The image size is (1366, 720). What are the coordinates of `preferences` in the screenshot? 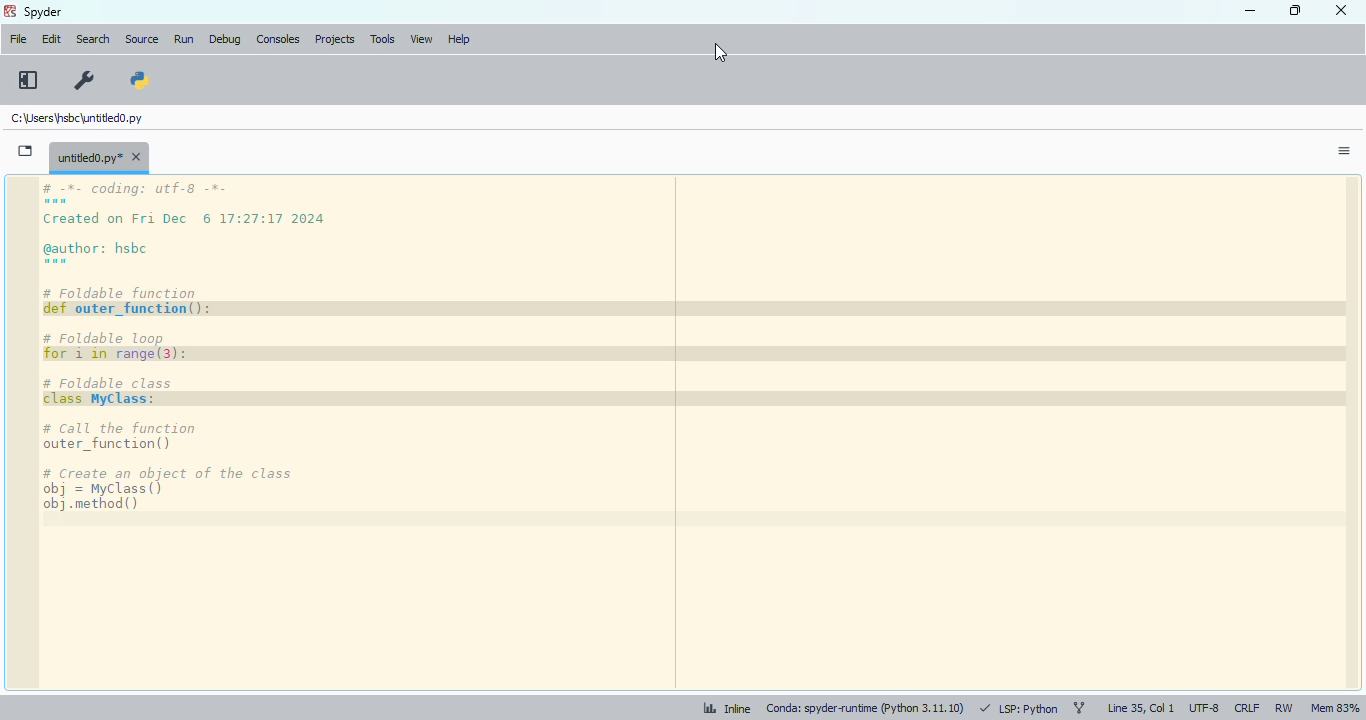 It's located at (85, 80).